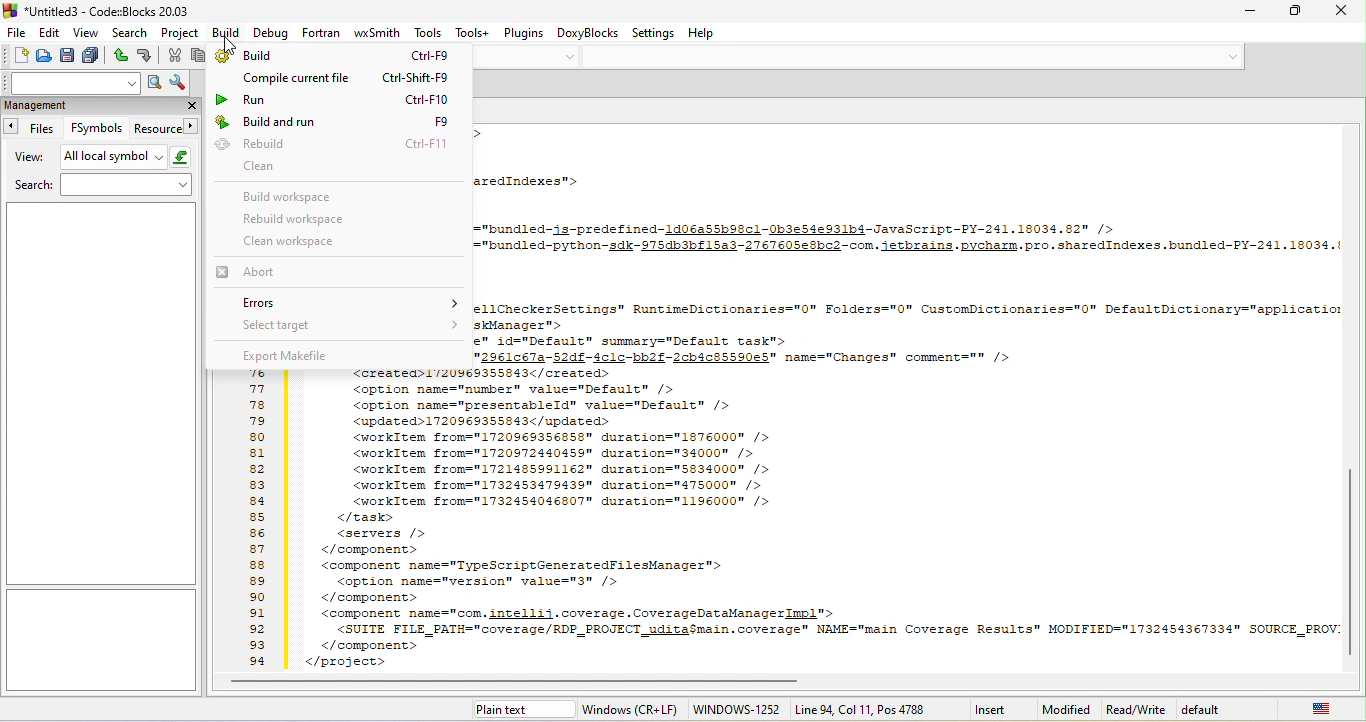  I want to click on minimize, so click(1250, 13).